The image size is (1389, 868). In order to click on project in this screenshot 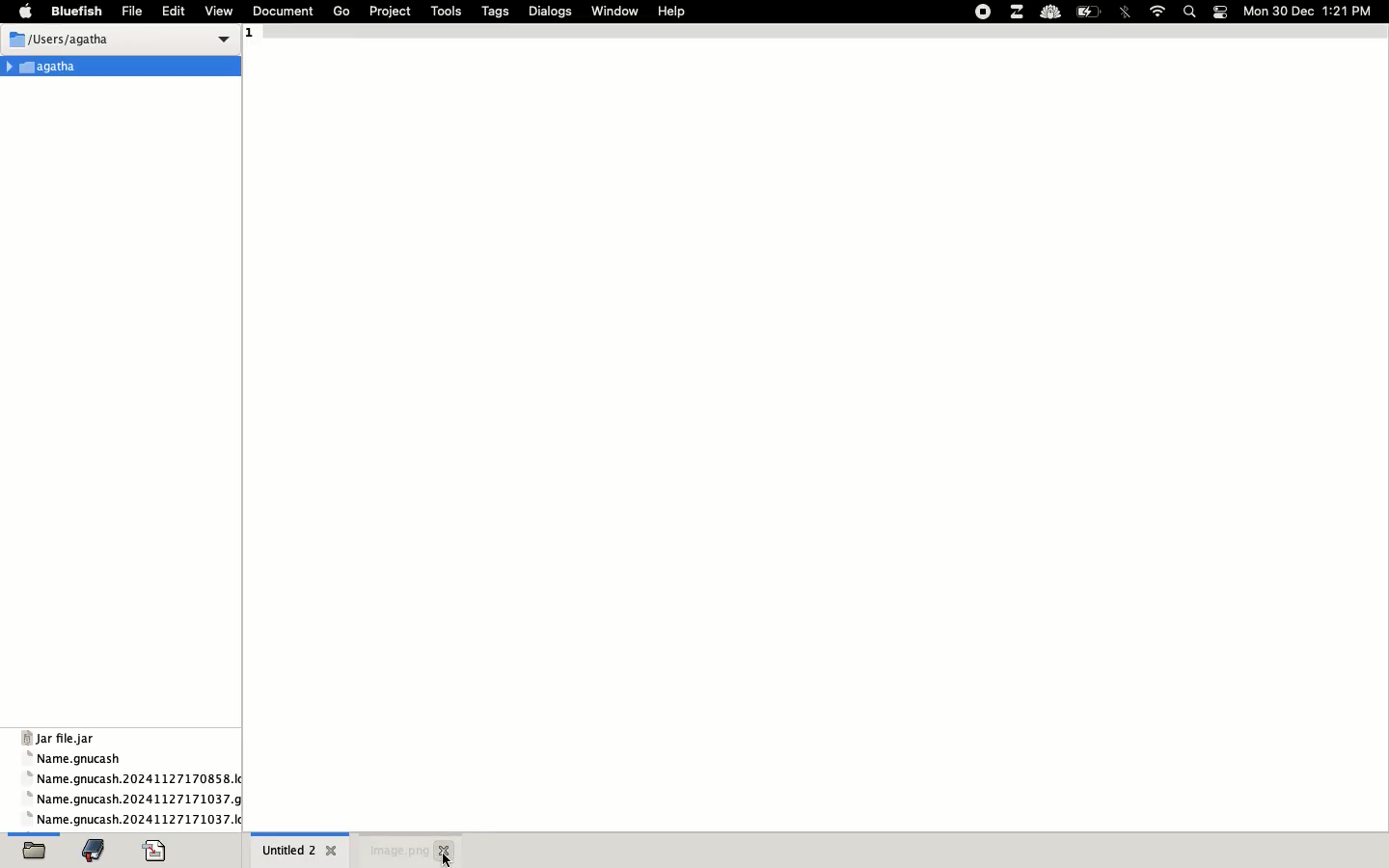, I will do `click(393, 11)`.